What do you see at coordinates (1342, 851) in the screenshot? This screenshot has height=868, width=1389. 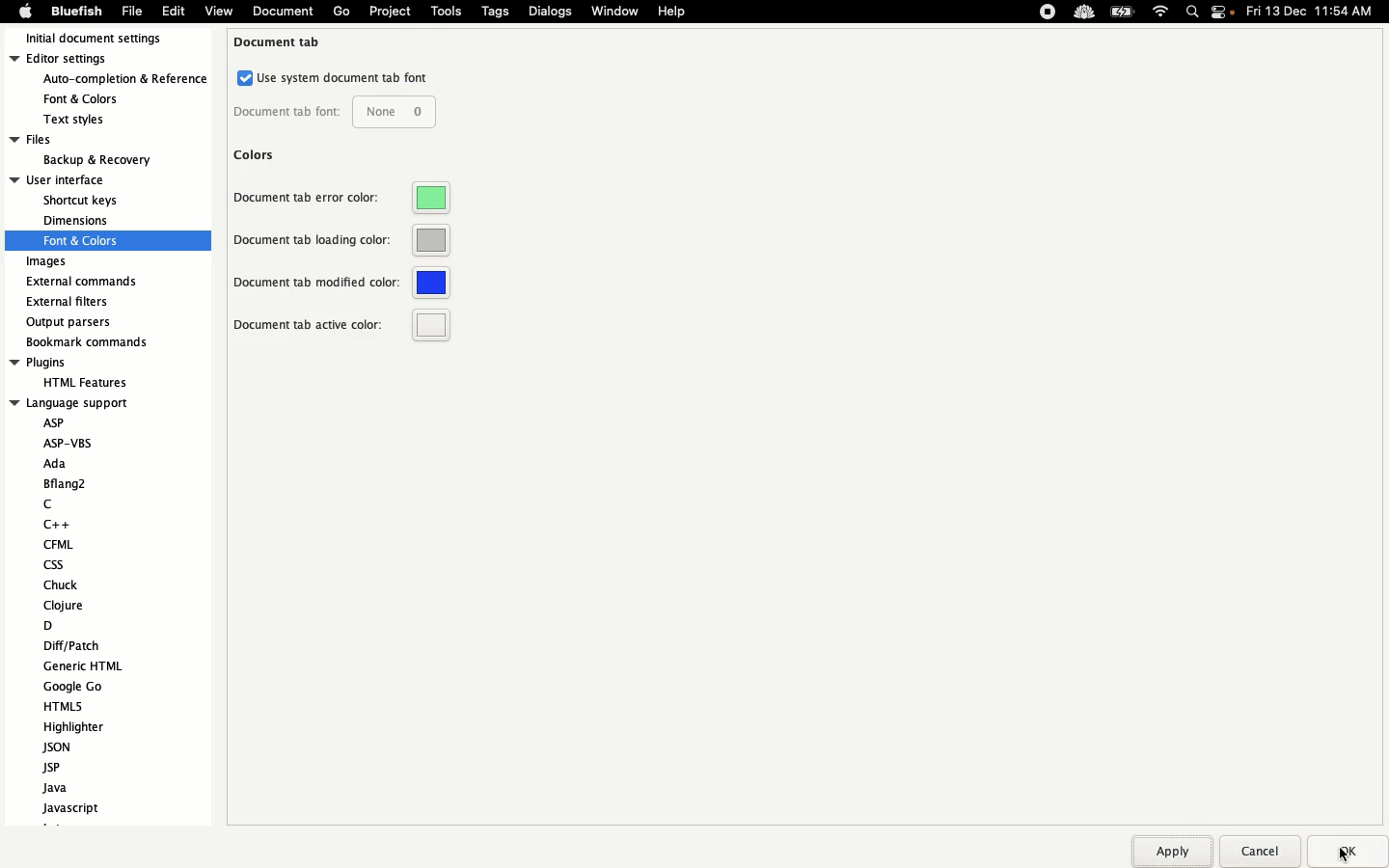 I see `Ok` at bounding box center [1342, 851].